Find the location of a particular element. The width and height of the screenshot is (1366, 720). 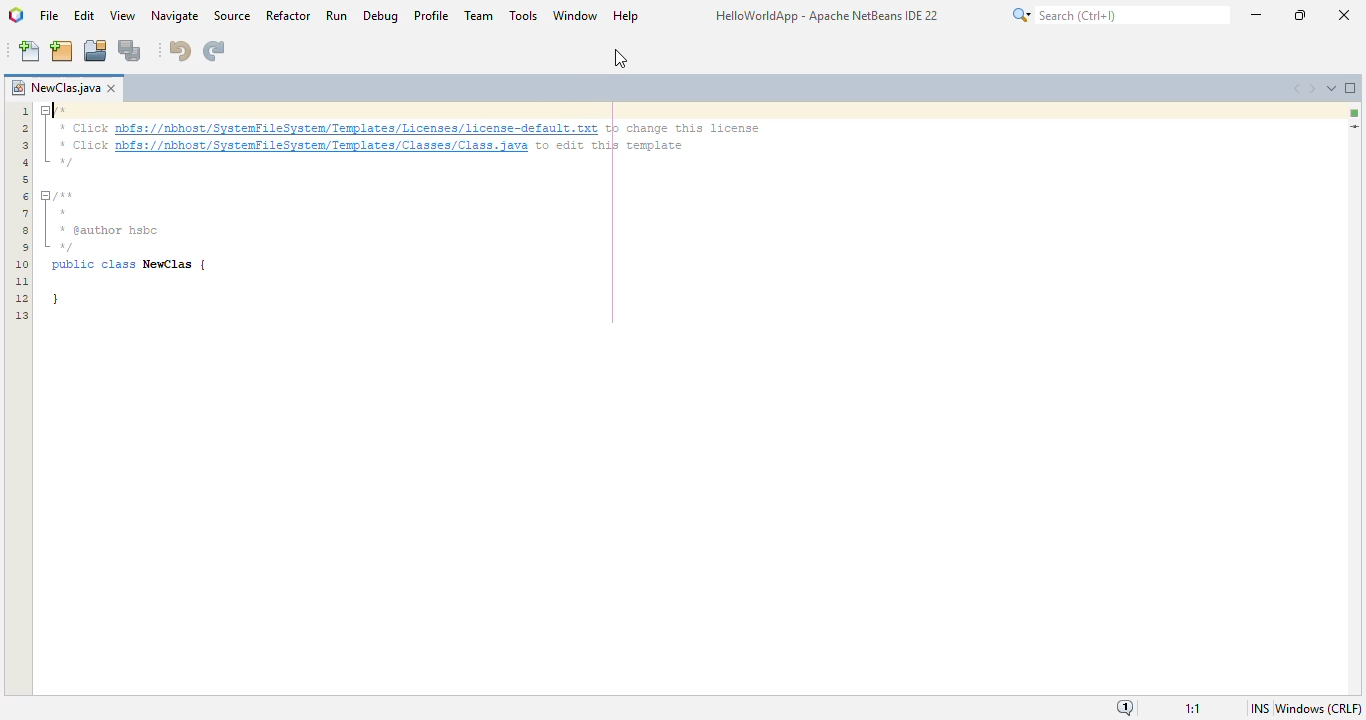

cursor is located at coordinates (50, 204).